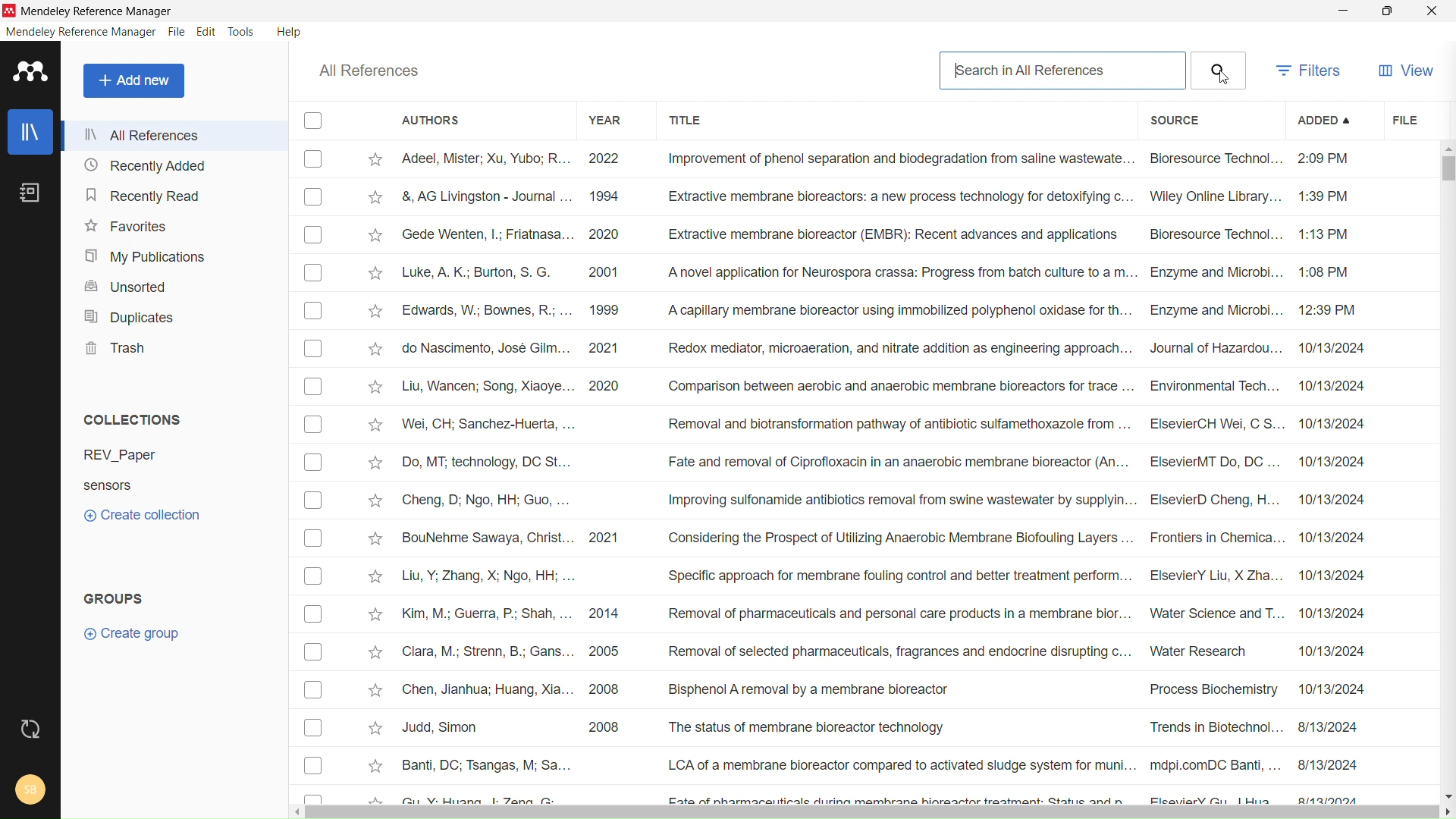 The height and width of the screenshot is (819, 1456). I want to click on vertical scrollbar, so click(1447, 169).